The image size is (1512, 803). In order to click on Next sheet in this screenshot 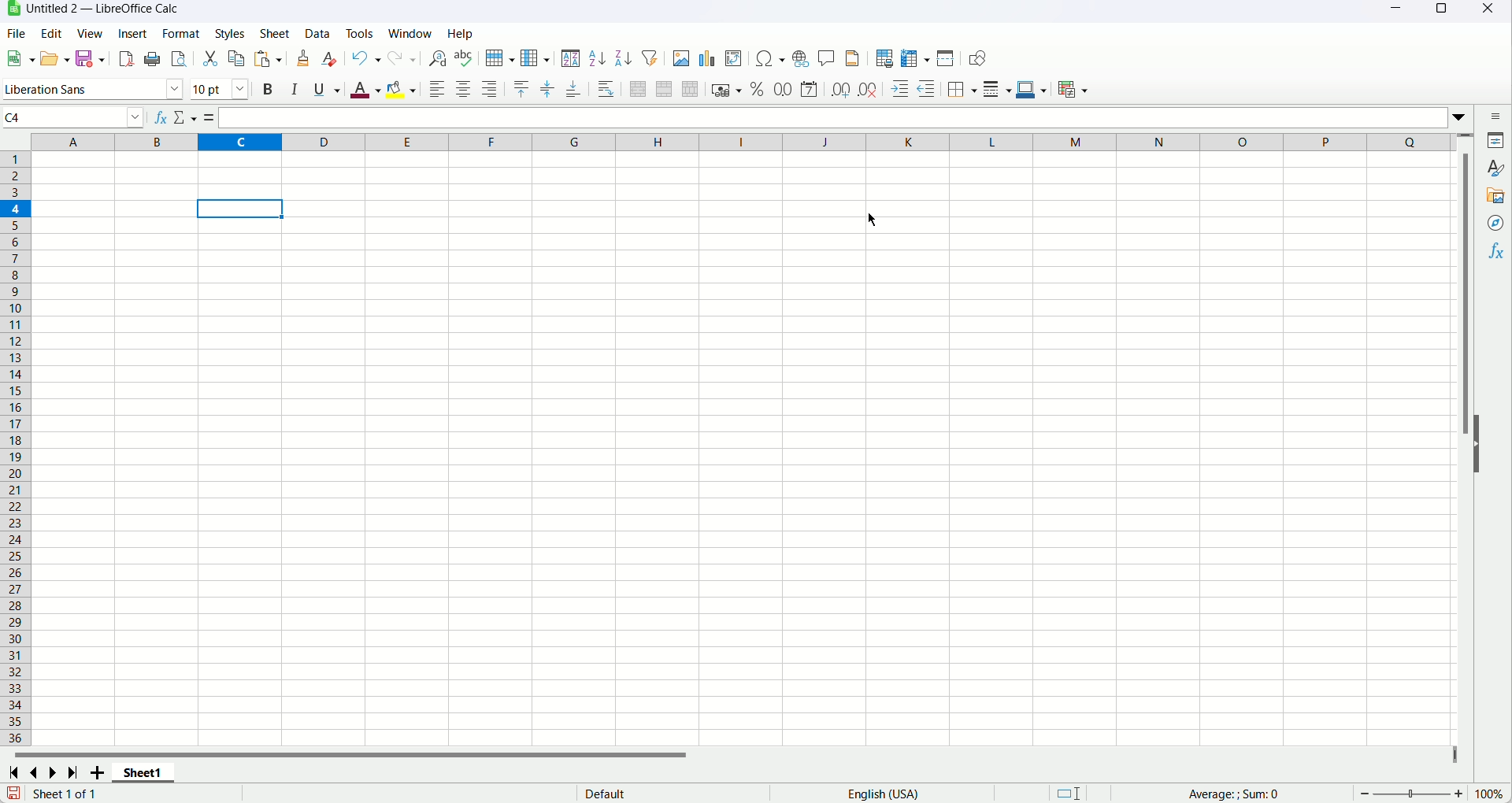, I will do `click(51, 774)`.